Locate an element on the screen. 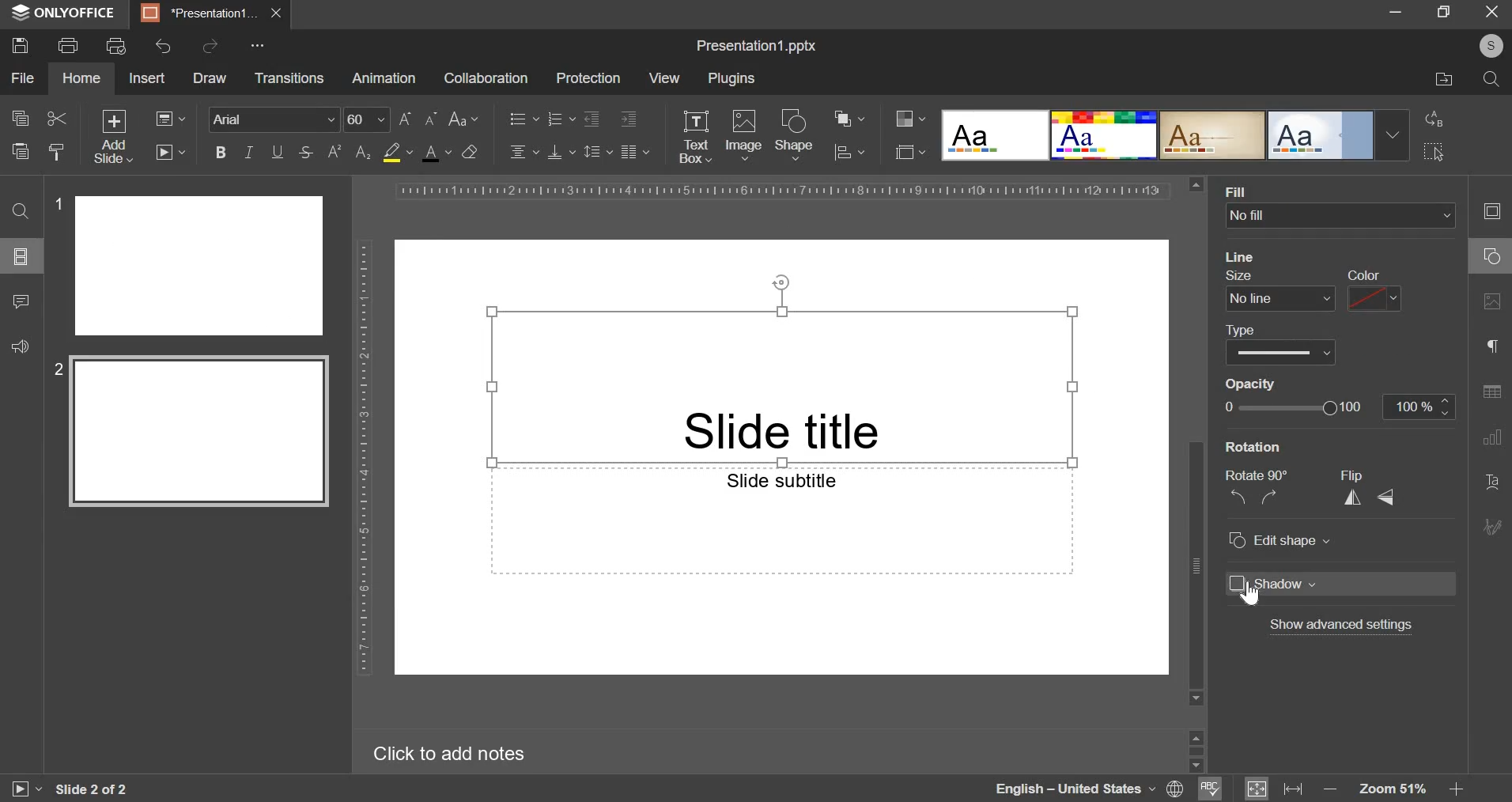 The height and width of the screenshot is (802, 1512). decrease indent is located at coordinates (591, 119).